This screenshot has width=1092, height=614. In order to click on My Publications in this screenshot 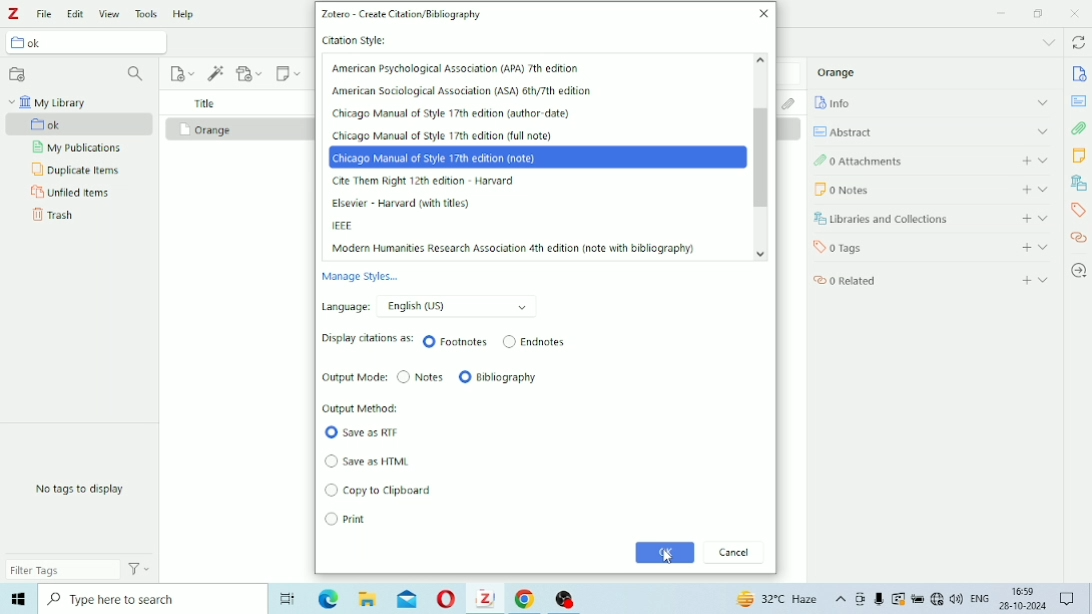, I will do `click(76, 148)`.